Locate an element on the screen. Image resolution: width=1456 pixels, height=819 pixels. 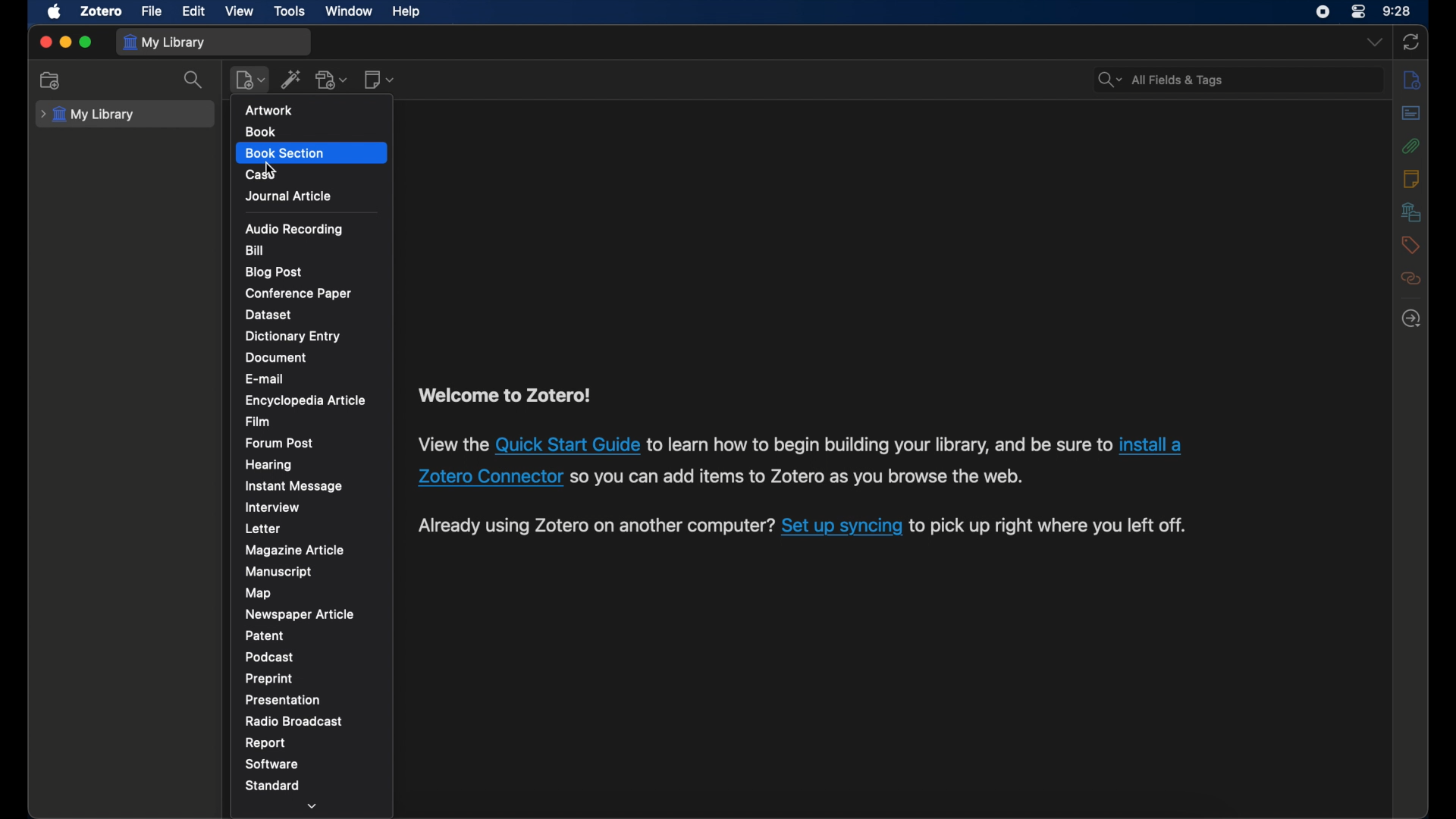
cursor is located at coordinates (271, 169).